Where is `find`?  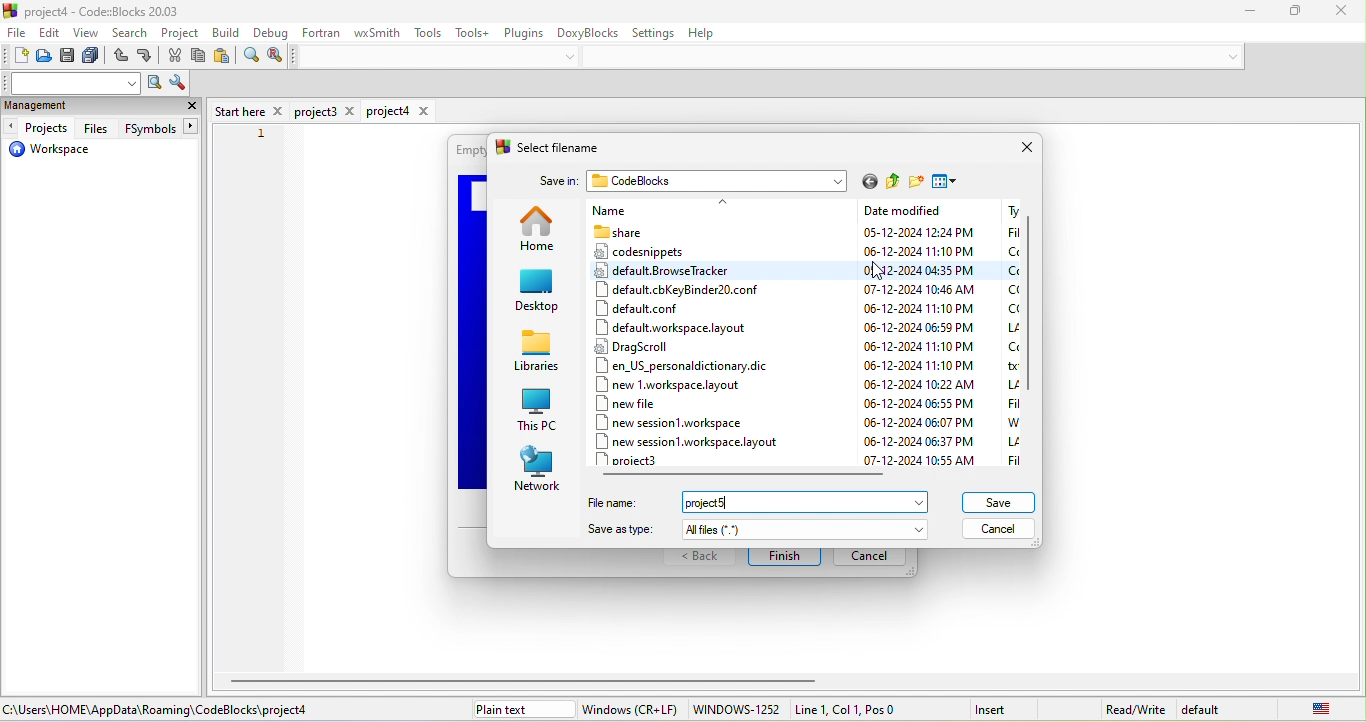 find is located at coordinates (250, 58).